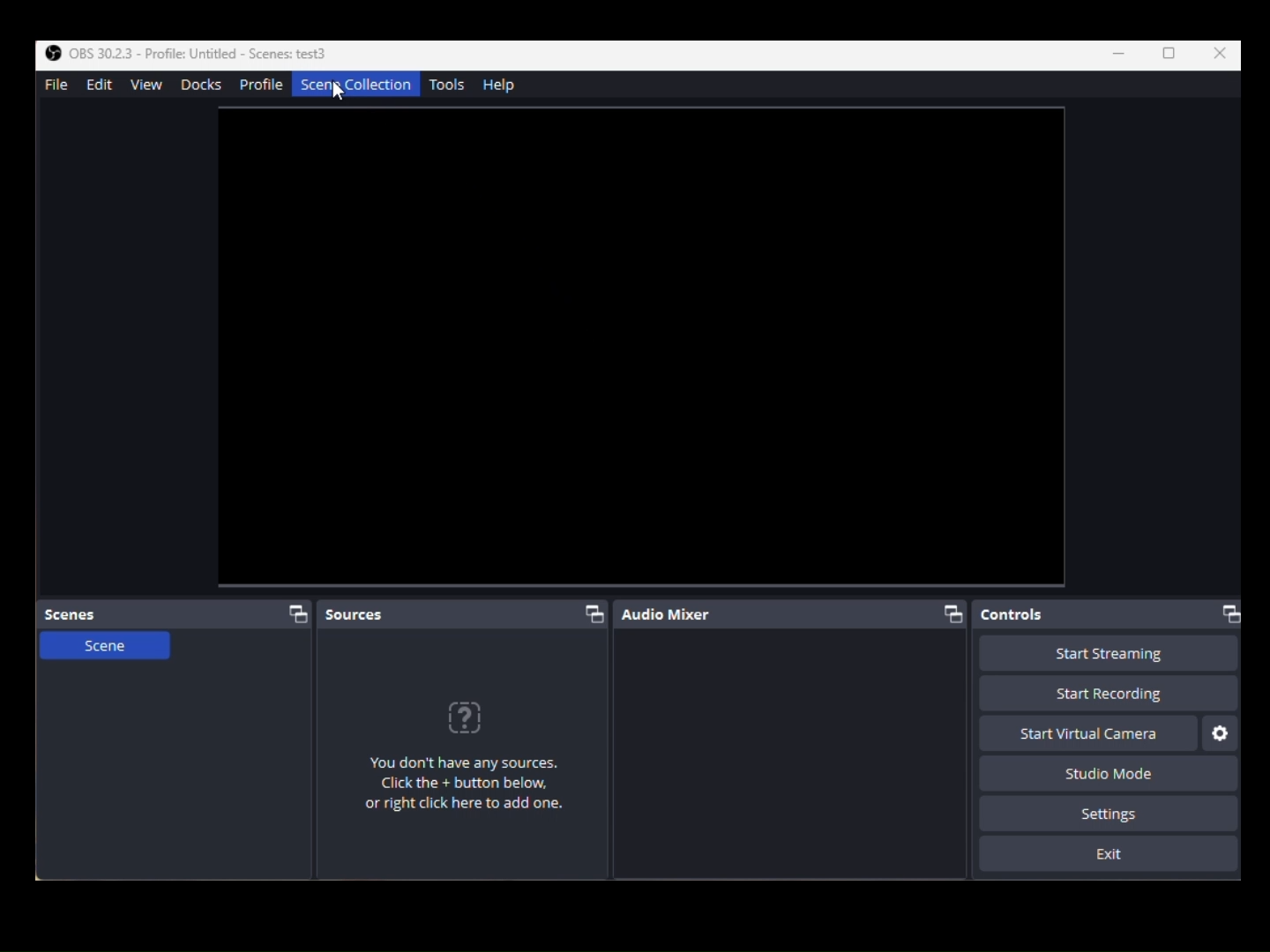  Describe the element at coordinates (1107, 695) in the screenshot. I see `Start Recording` at that location.